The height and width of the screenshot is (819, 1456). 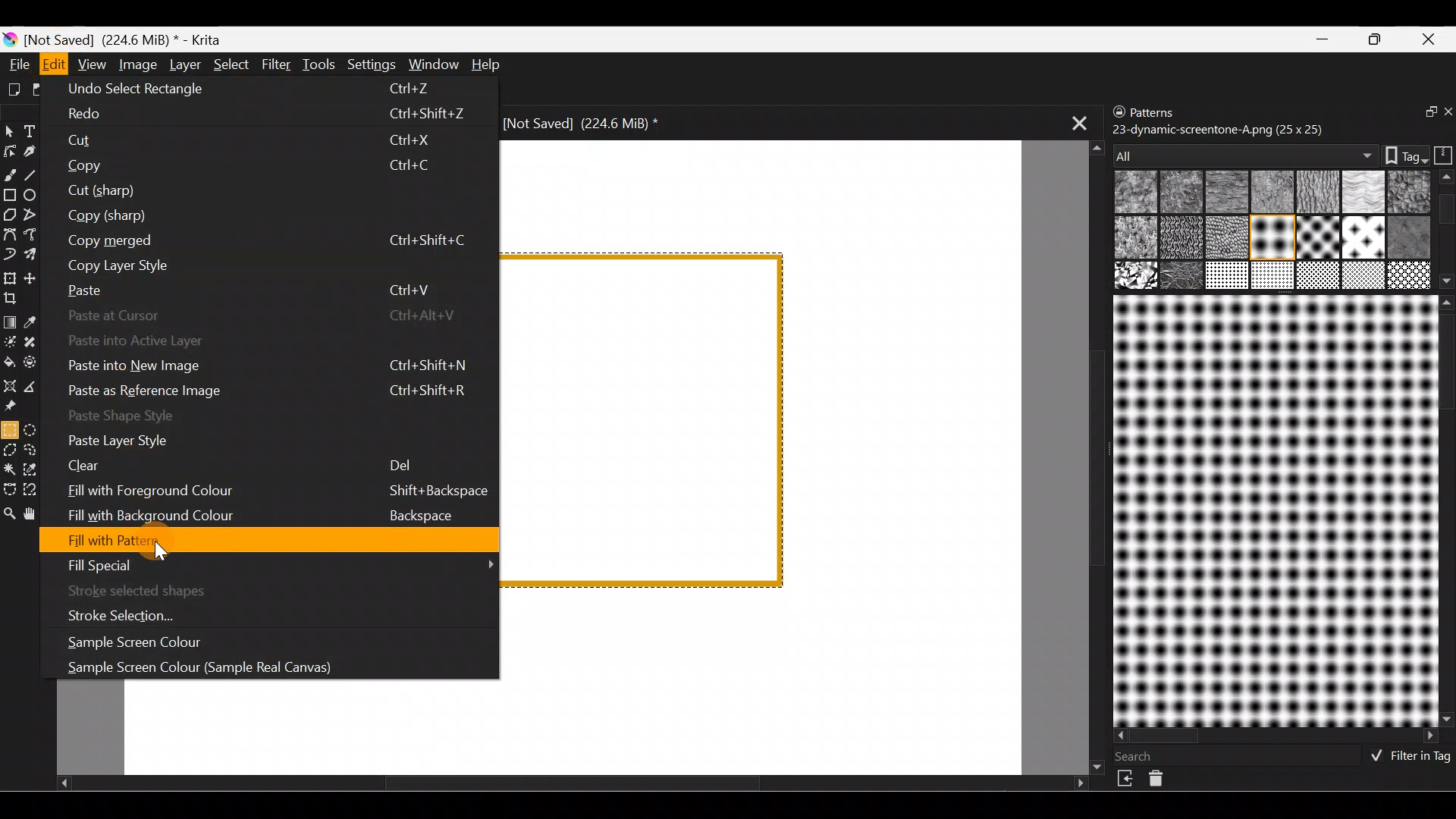 What do you see at coordinates (149, 588) in the screenshot?
I see `Stroke selected shapes` at bounding box center [149, 588].